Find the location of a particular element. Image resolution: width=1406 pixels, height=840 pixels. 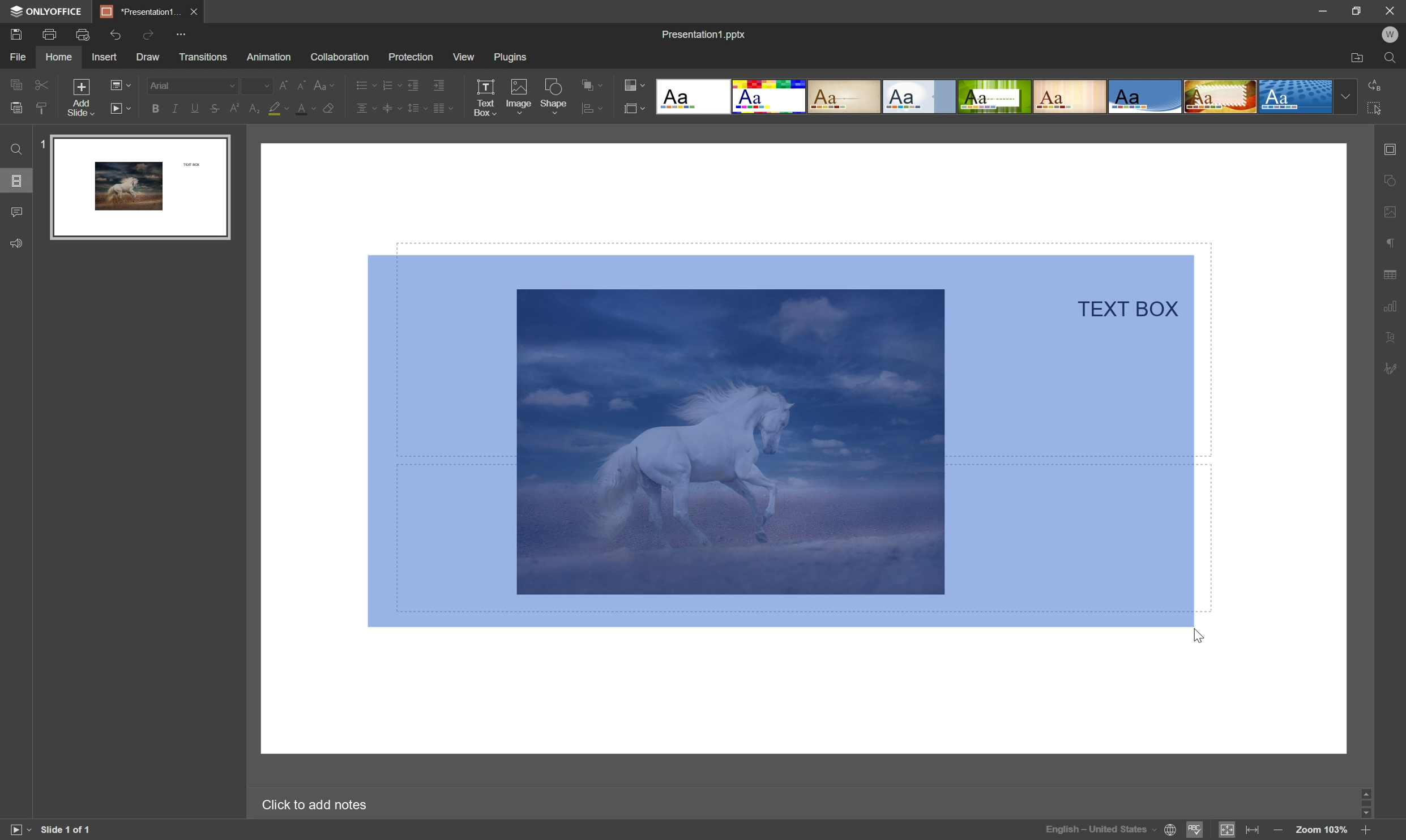

font color is located at coordinates (307, 109).